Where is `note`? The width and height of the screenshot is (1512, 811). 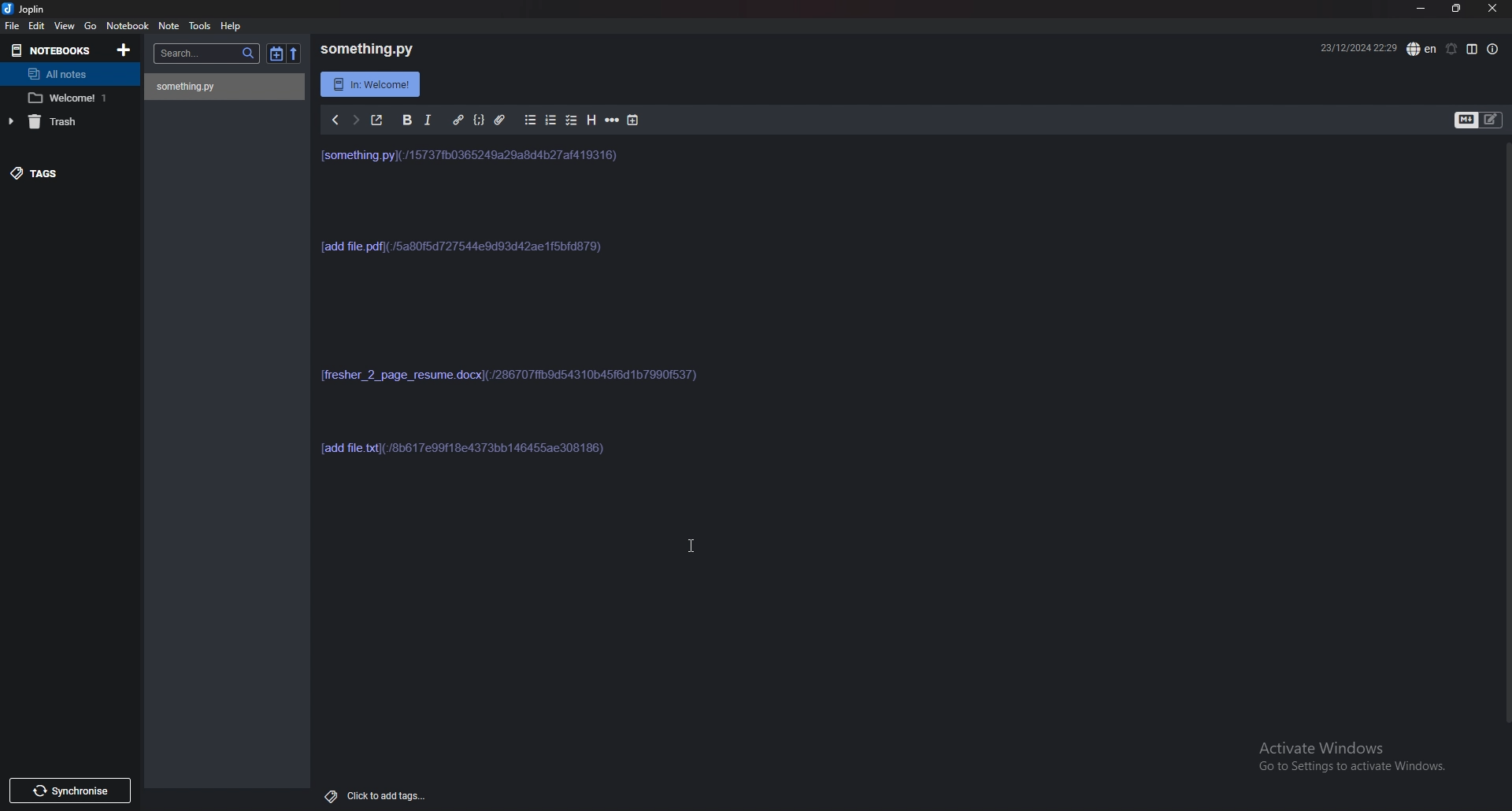 note is located at coordinates (542, 352).